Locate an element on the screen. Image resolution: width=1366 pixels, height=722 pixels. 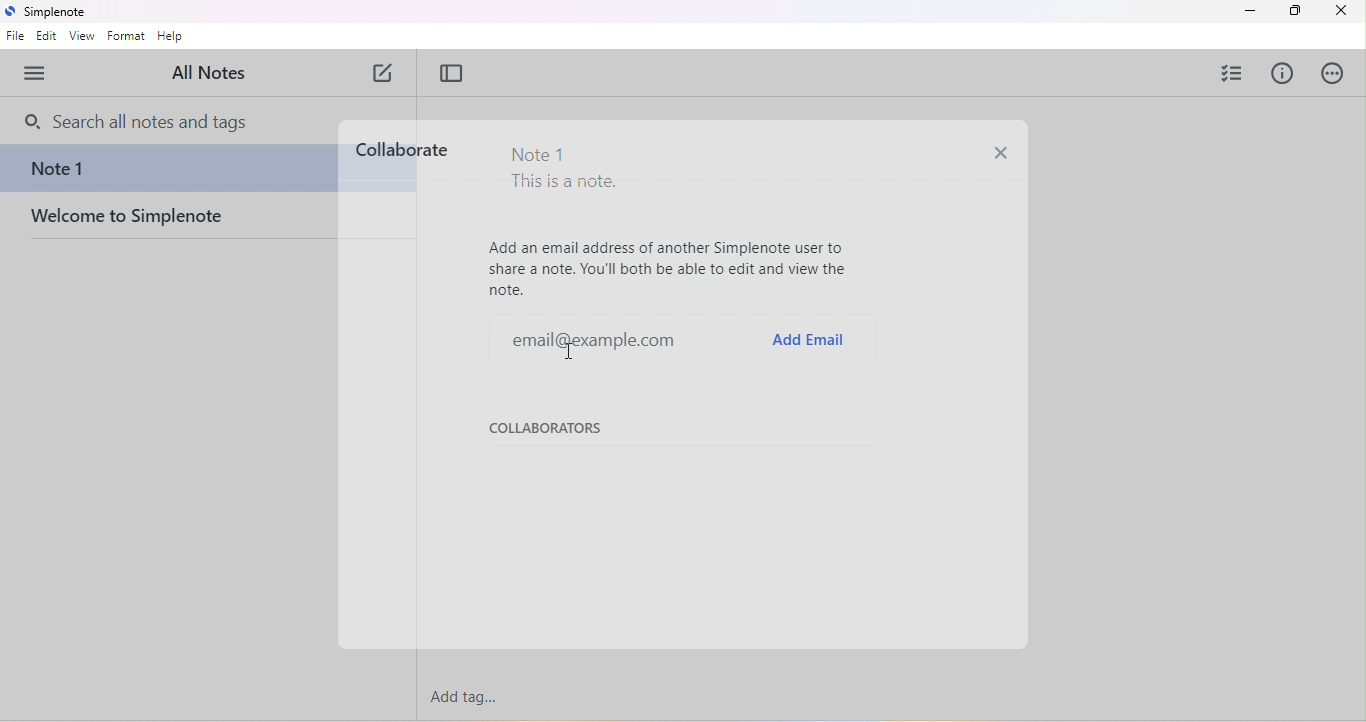
menu is located at coordinates (41, 72).